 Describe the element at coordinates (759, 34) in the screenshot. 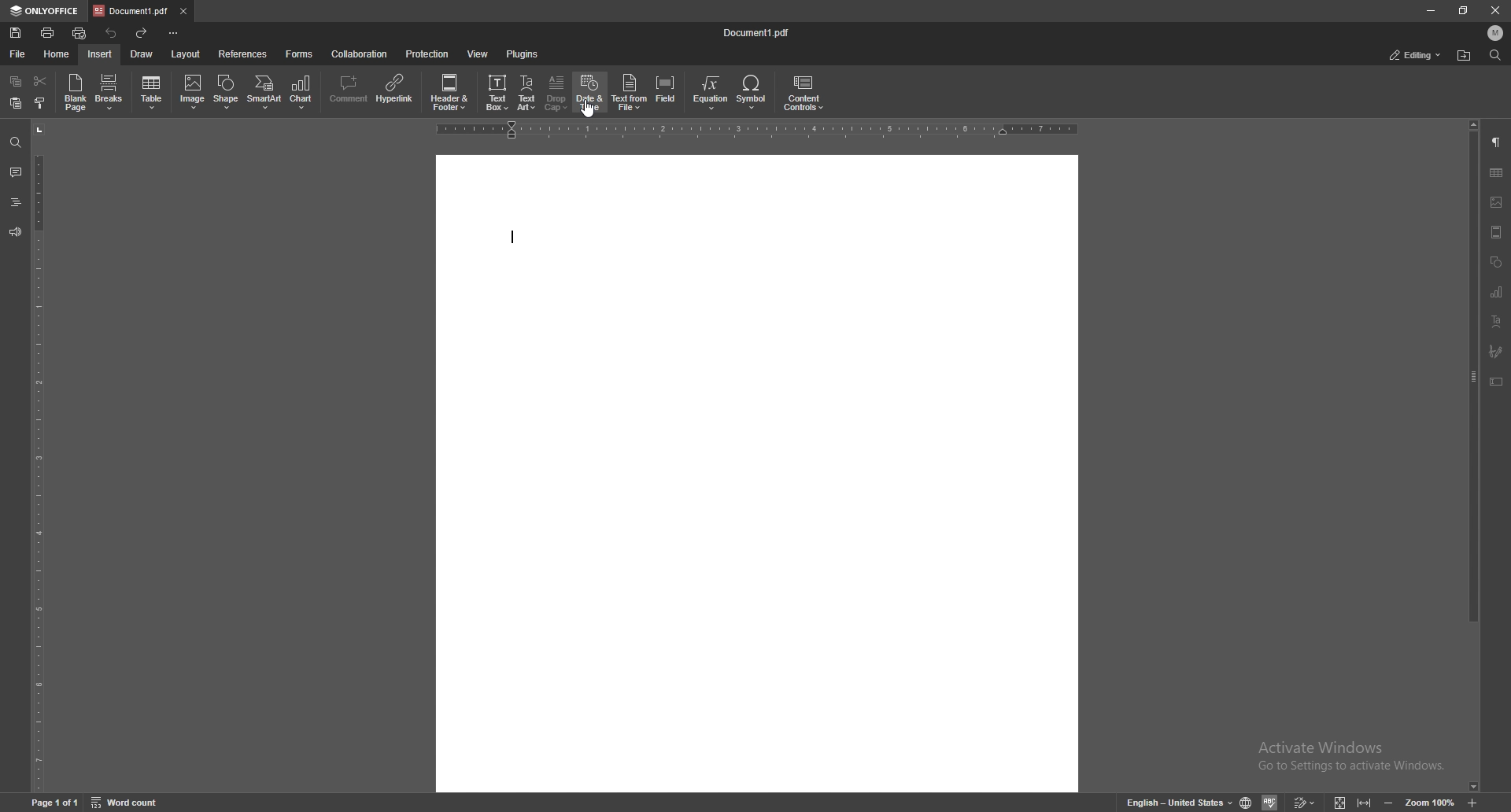

I see `file name` at that location.